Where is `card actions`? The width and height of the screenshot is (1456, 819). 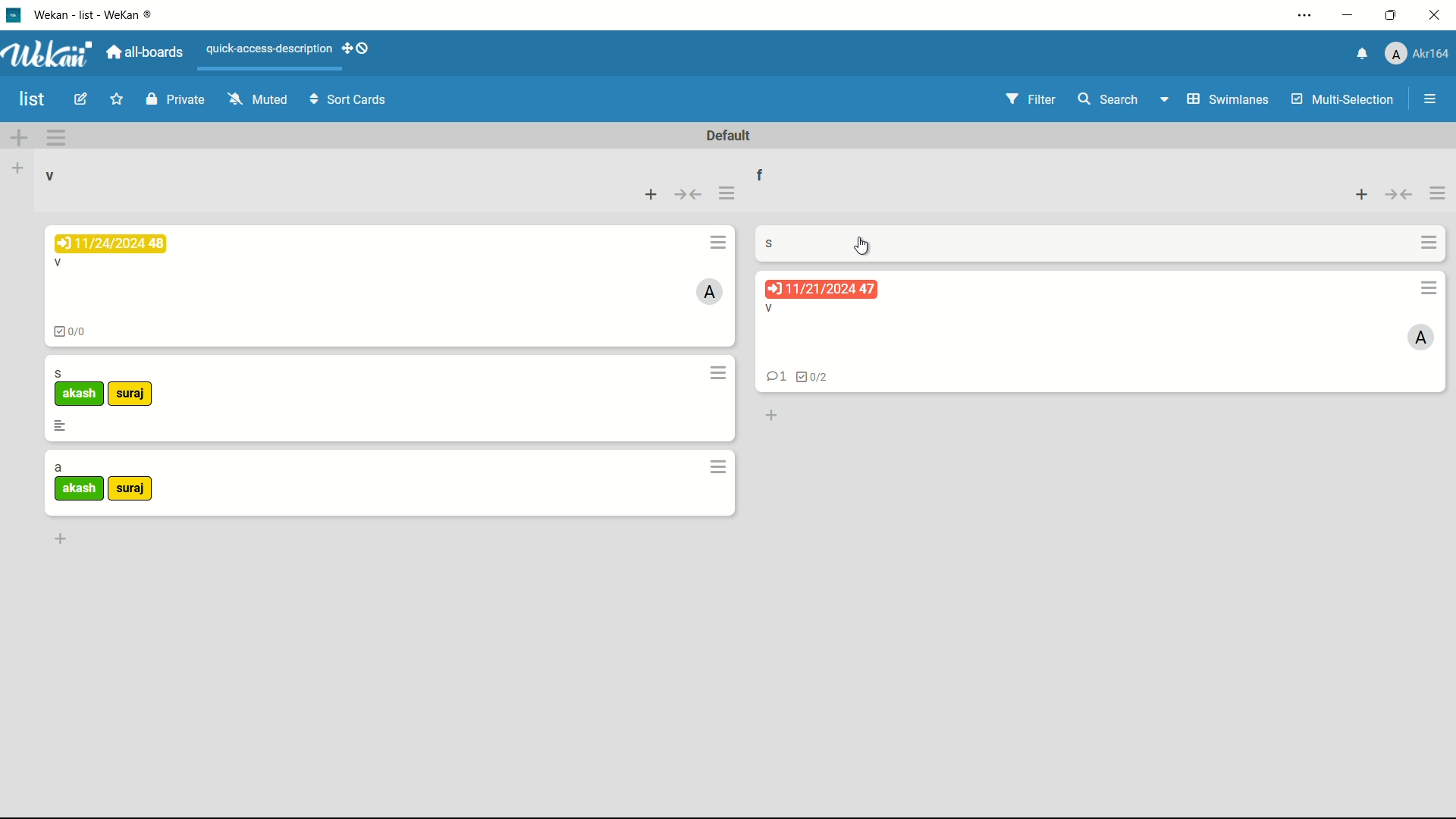
card actions is located at coordinates (720, 467).